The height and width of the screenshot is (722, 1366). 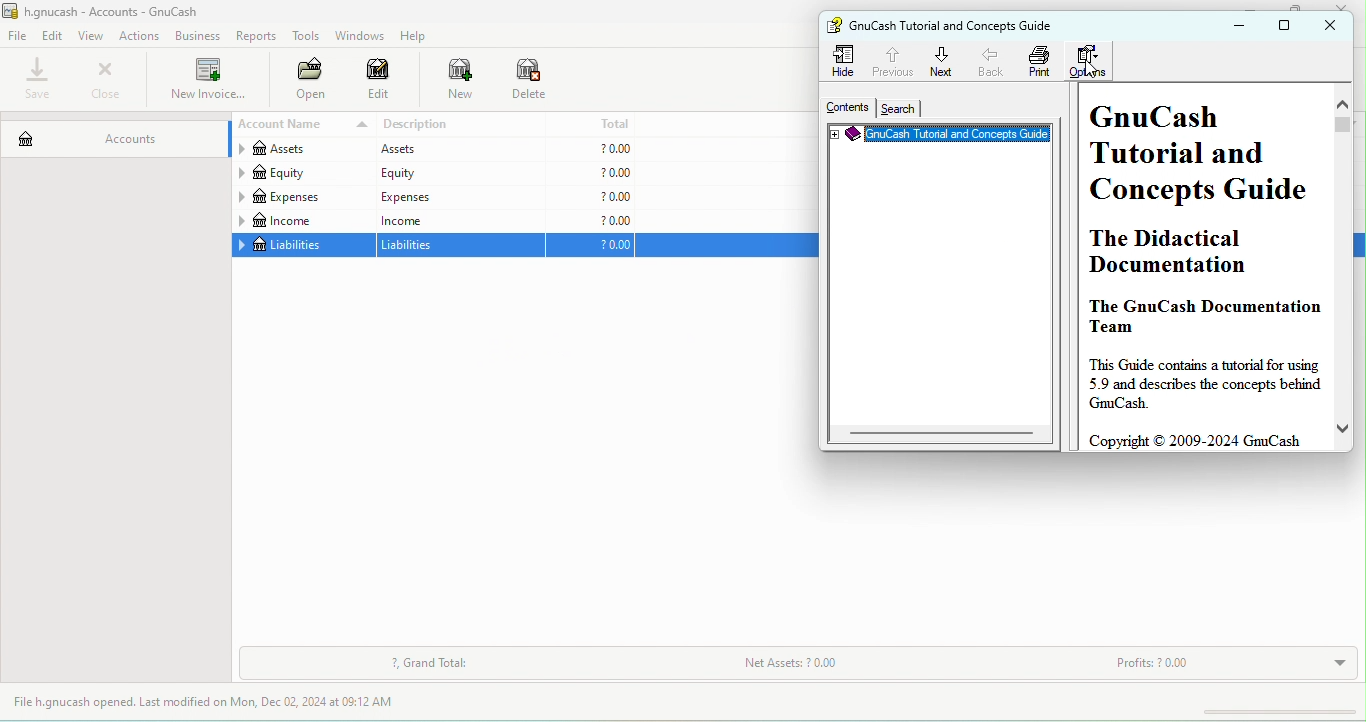 What do you see at coordinates (1292, 7) in the screenshot?
I see `maximize` at bounding box center [1292, 7].